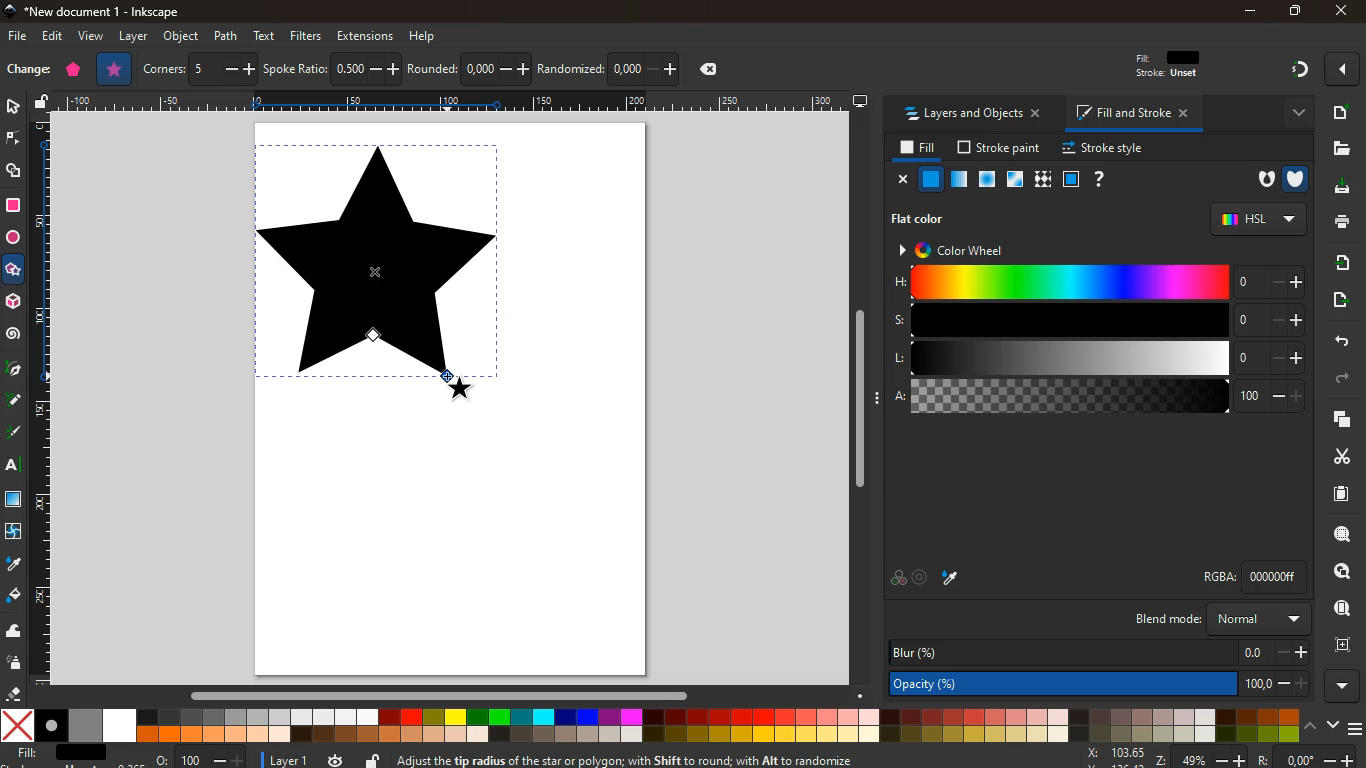 The width and height of the screenshot is (1366, 768). I want to click on search, so click(1338, 572).